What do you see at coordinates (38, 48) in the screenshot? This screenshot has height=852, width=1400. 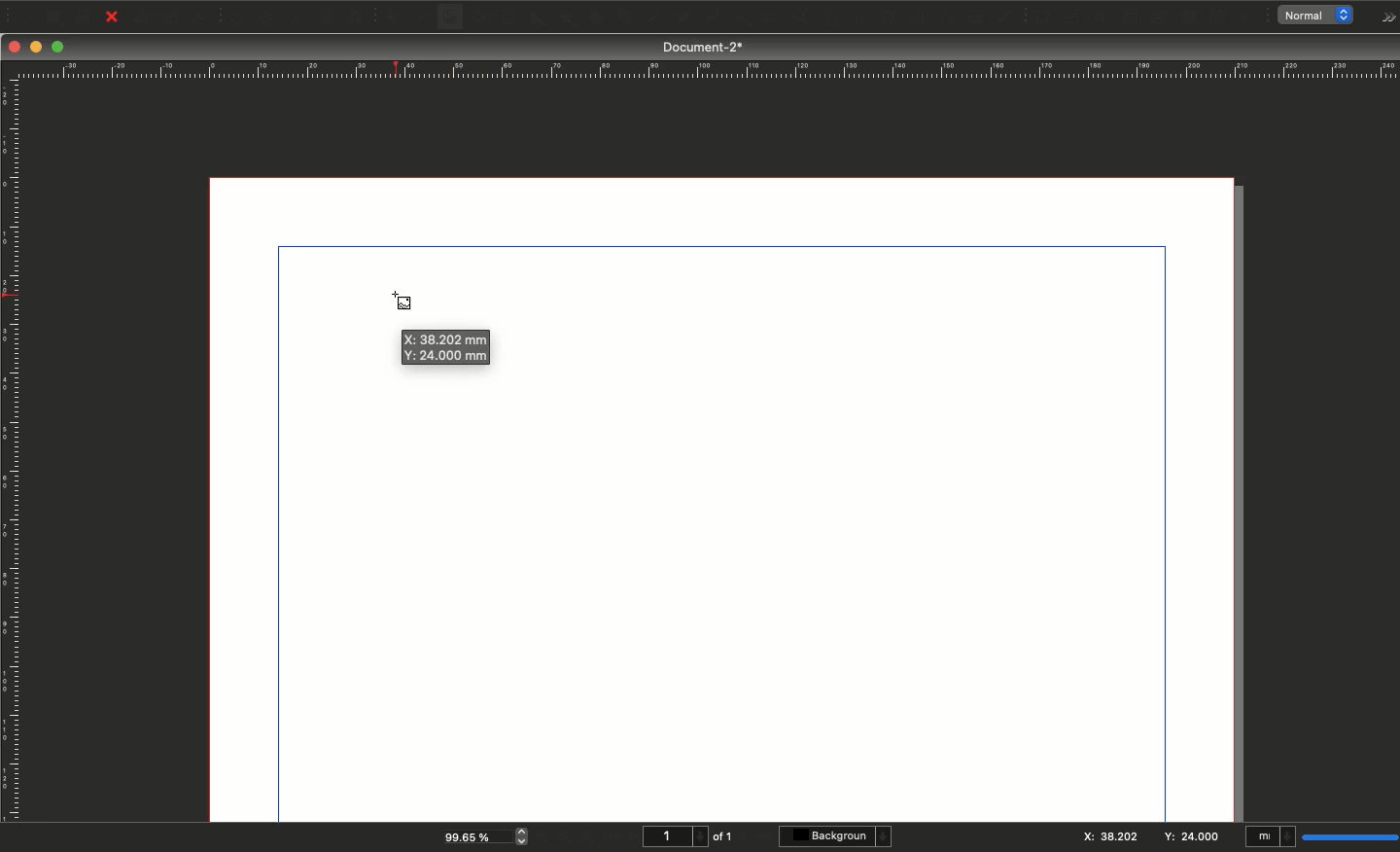 I see `Minimize` at bounding box center [38, 48].